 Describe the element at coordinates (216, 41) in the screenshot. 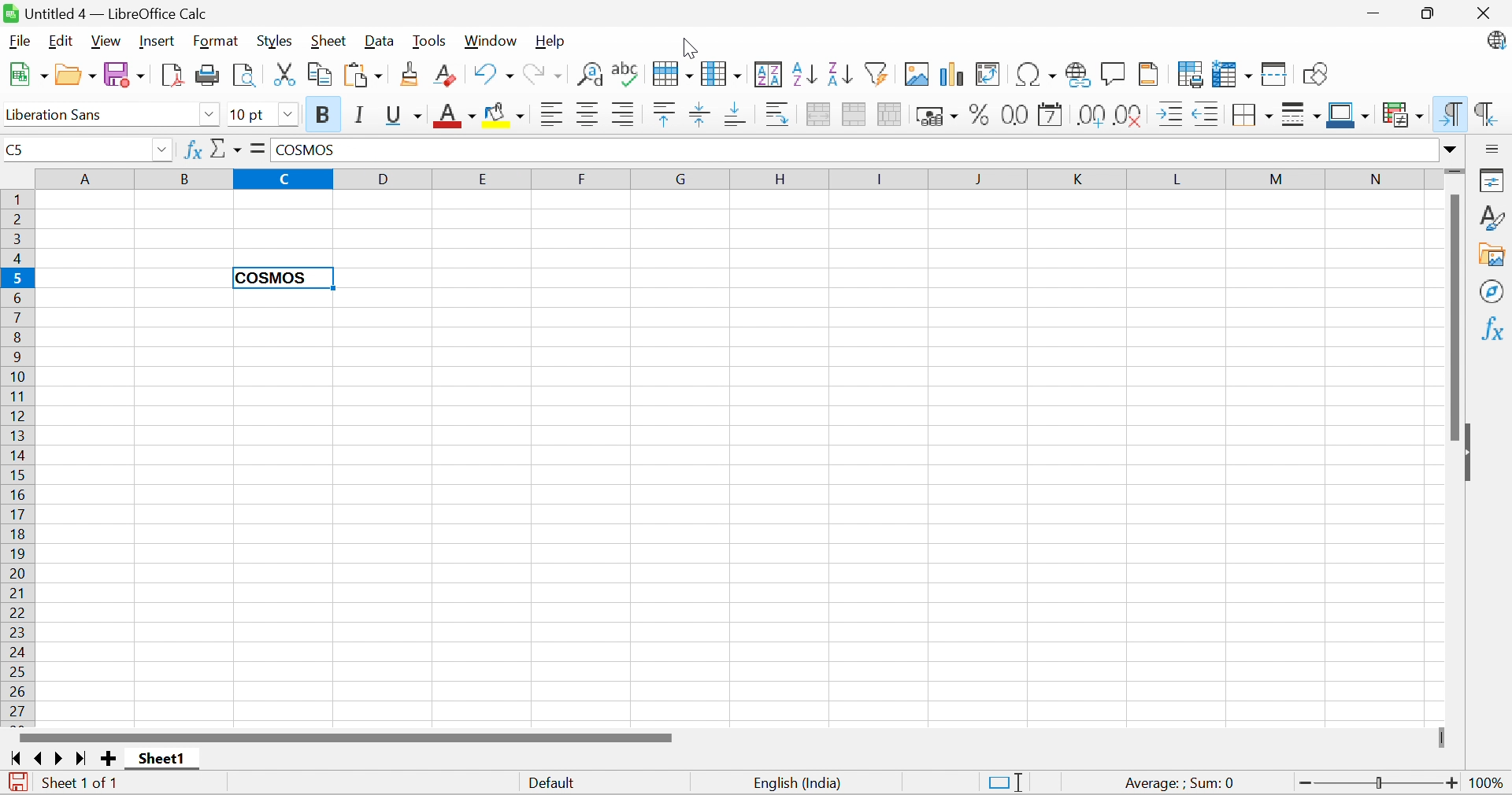

I see `Format` at that location.